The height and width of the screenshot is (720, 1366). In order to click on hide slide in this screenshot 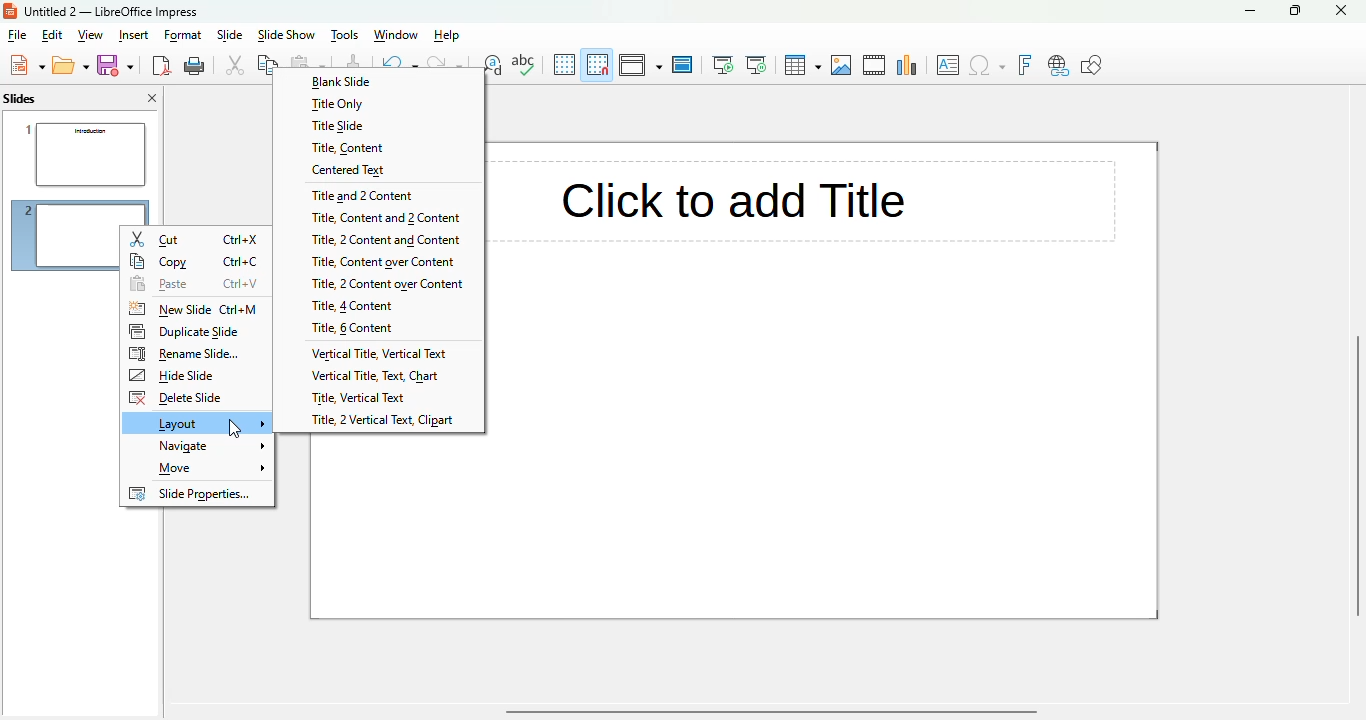, I will do `click(195, 375)`.